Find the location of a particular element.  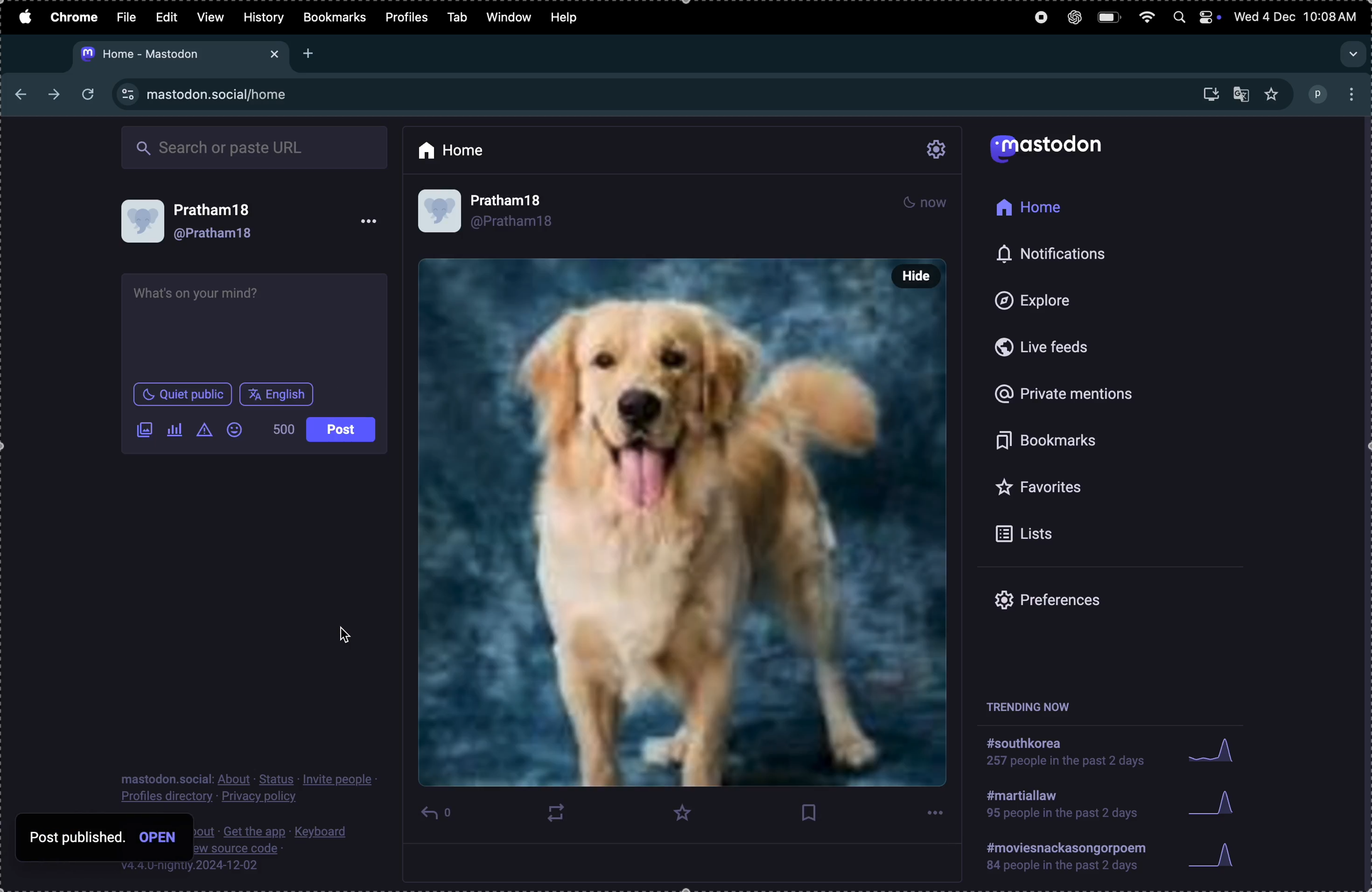

add content warning is located at coordinates (207, 432).